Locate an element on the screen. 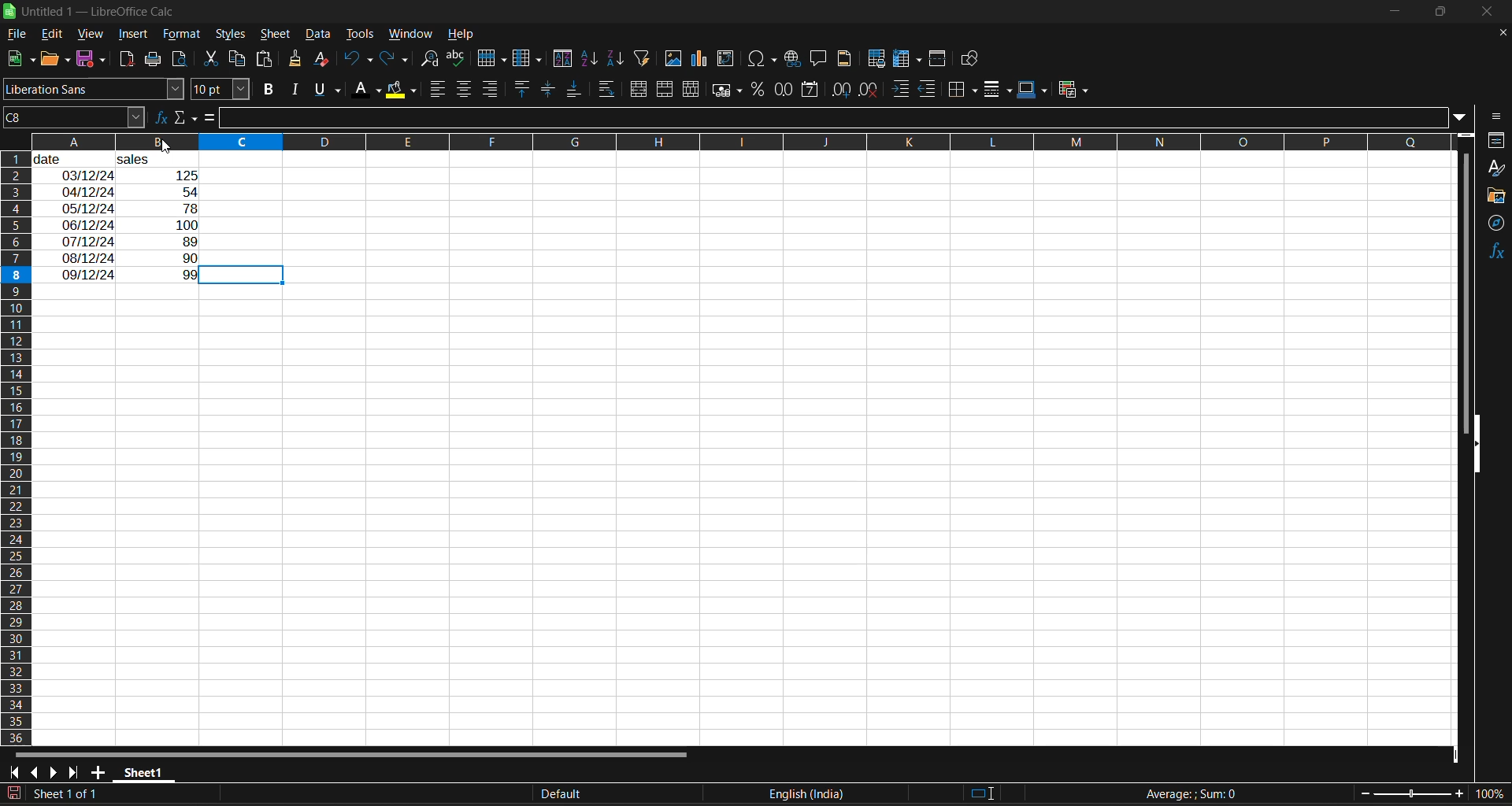  delete decimal place is located at coordinates (869, 91).